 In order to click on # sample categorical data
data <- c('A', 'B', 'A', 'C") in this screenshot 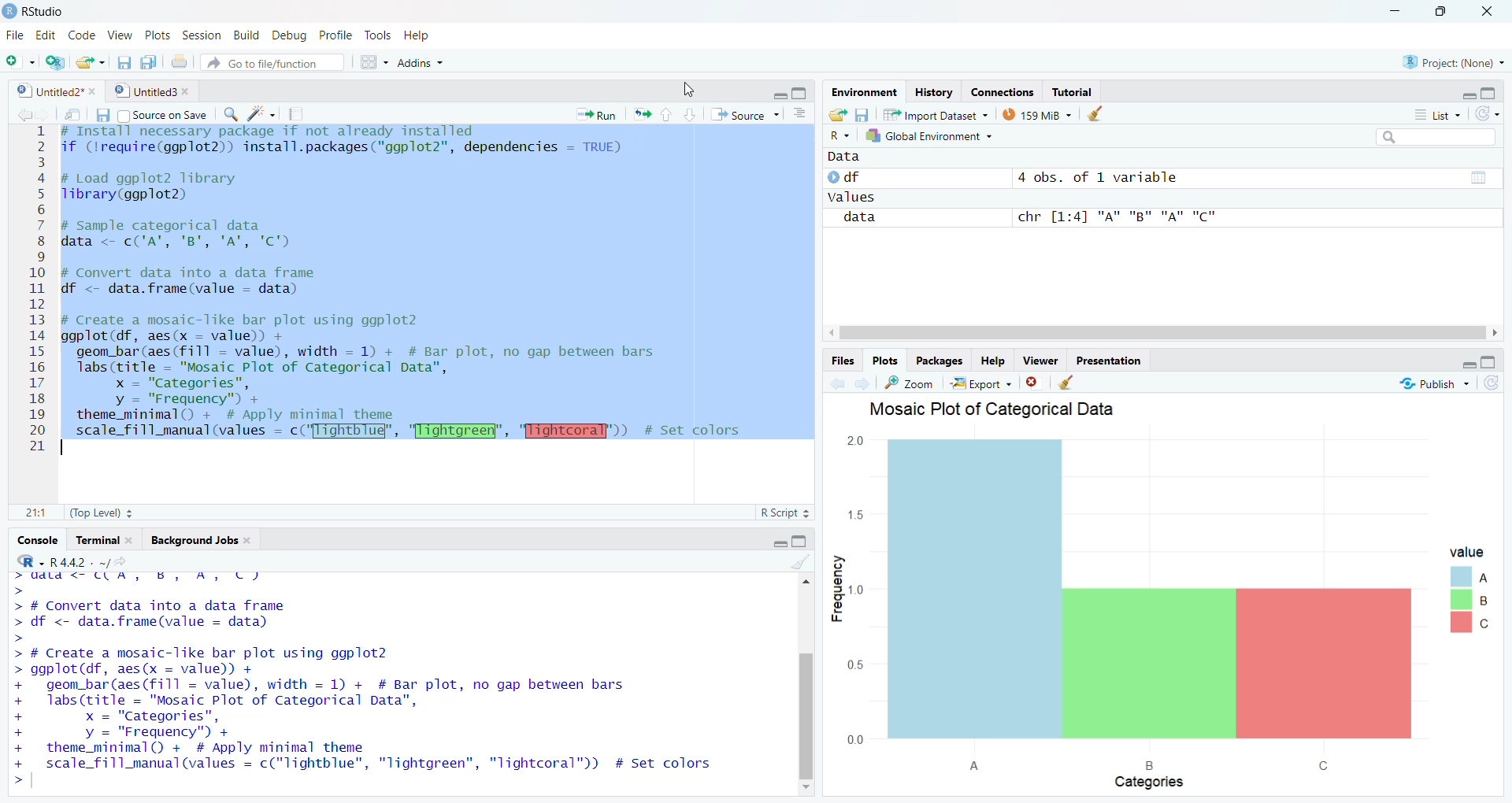, I will do `click(191, 233)`.